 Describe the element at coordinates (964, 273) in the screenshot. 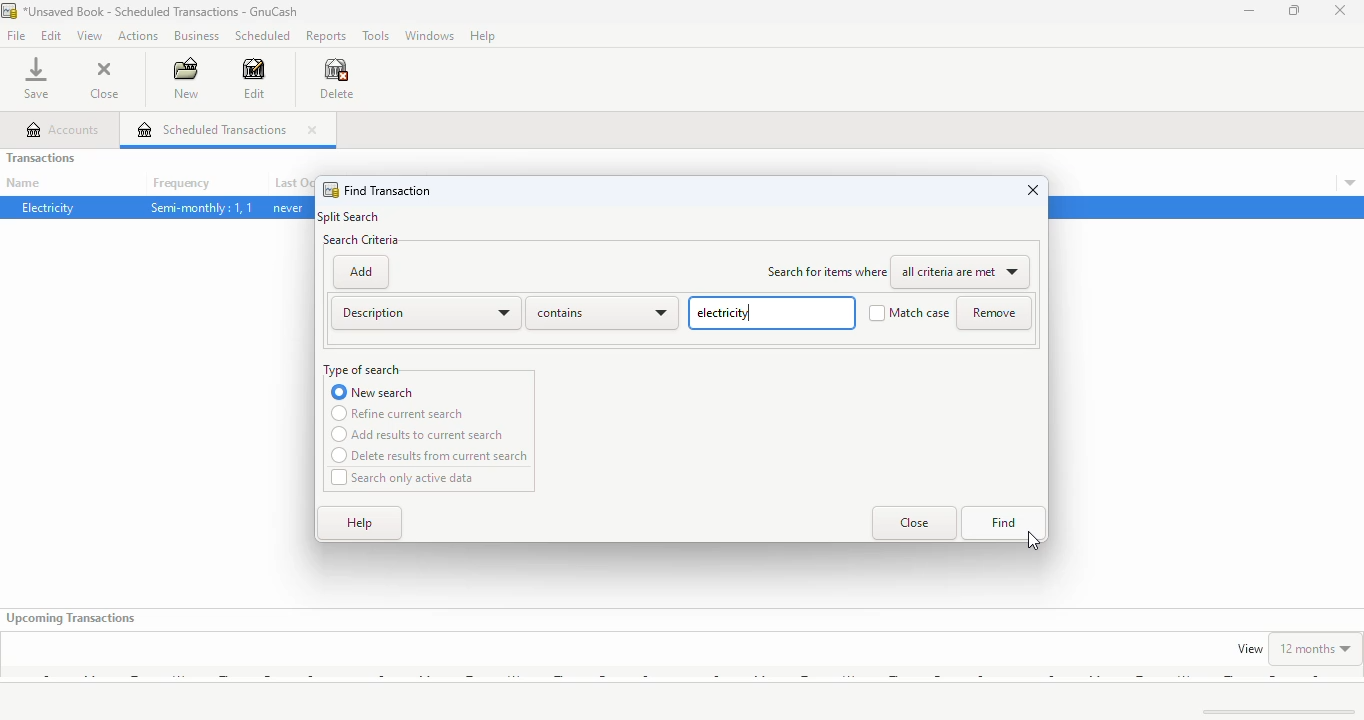

I see `all criteria are met` at that location.